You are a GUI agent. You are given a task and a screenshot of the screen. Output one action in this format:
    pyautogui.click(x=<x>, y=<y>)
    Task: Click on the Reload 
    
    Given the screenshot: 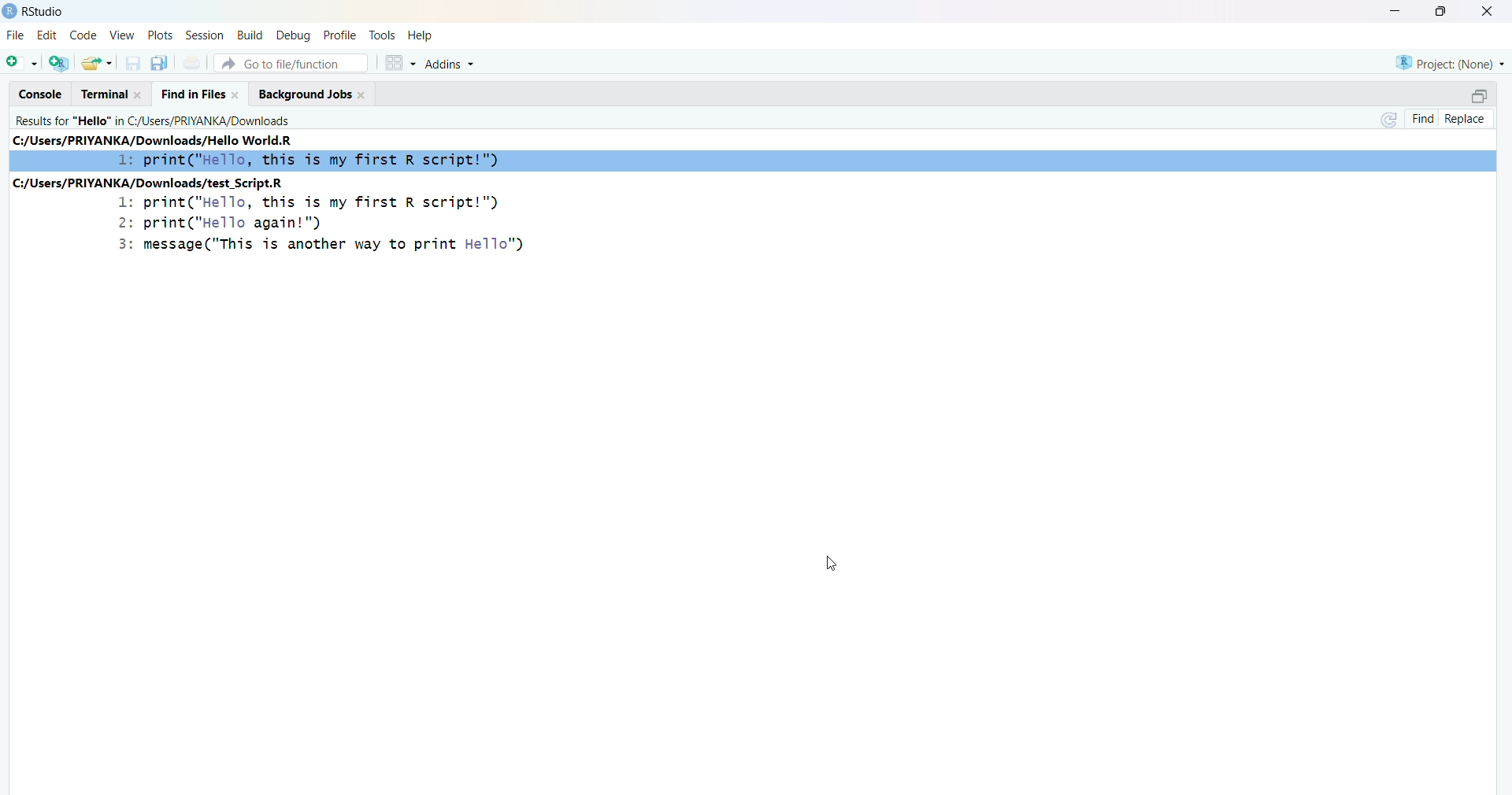 What is the action you would take?
    pyautogui.click(x=1391, y=120)
    